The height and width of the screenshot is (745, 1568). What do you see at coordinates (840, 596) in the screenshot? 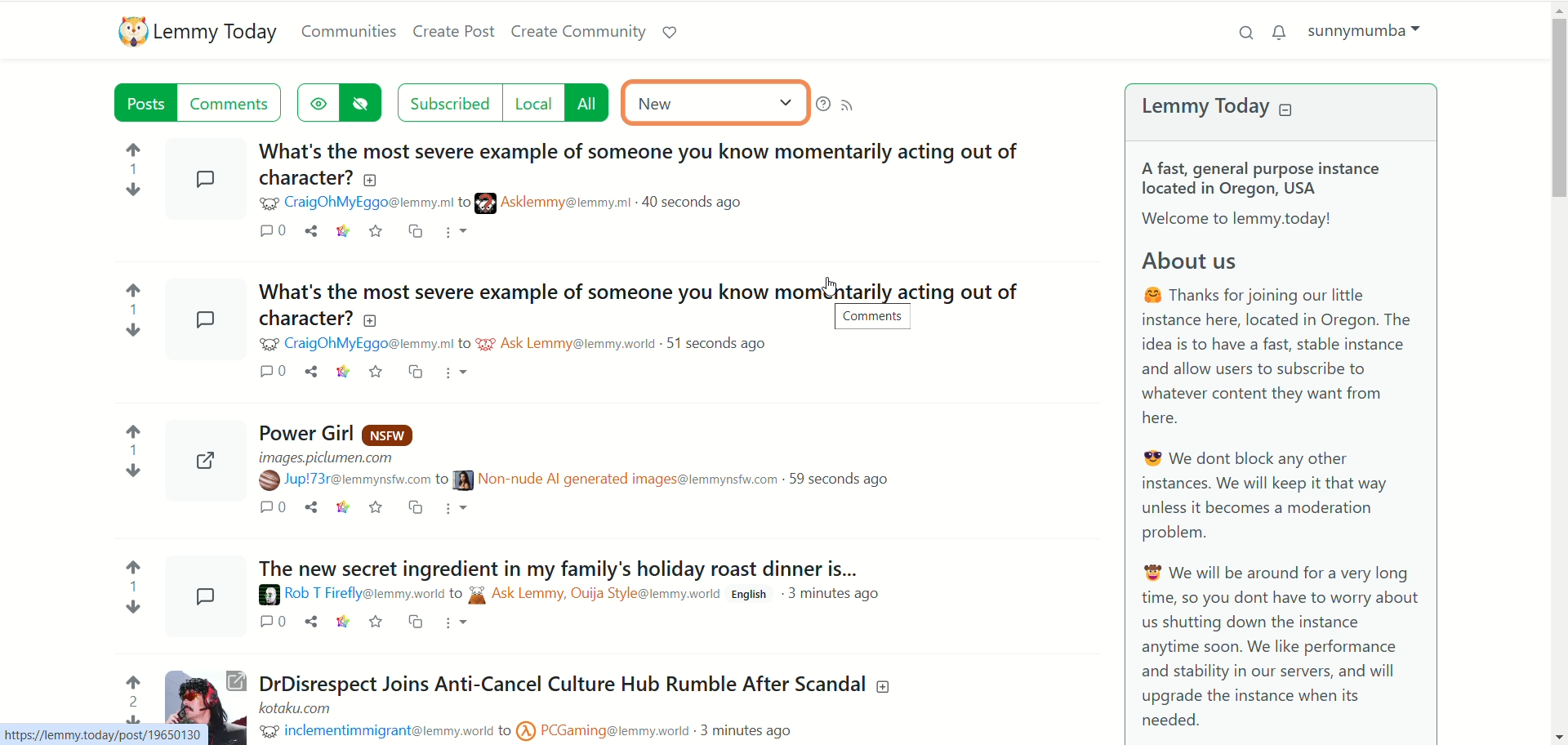
I see `3 minutes ago` at bounding box center [840, 596].